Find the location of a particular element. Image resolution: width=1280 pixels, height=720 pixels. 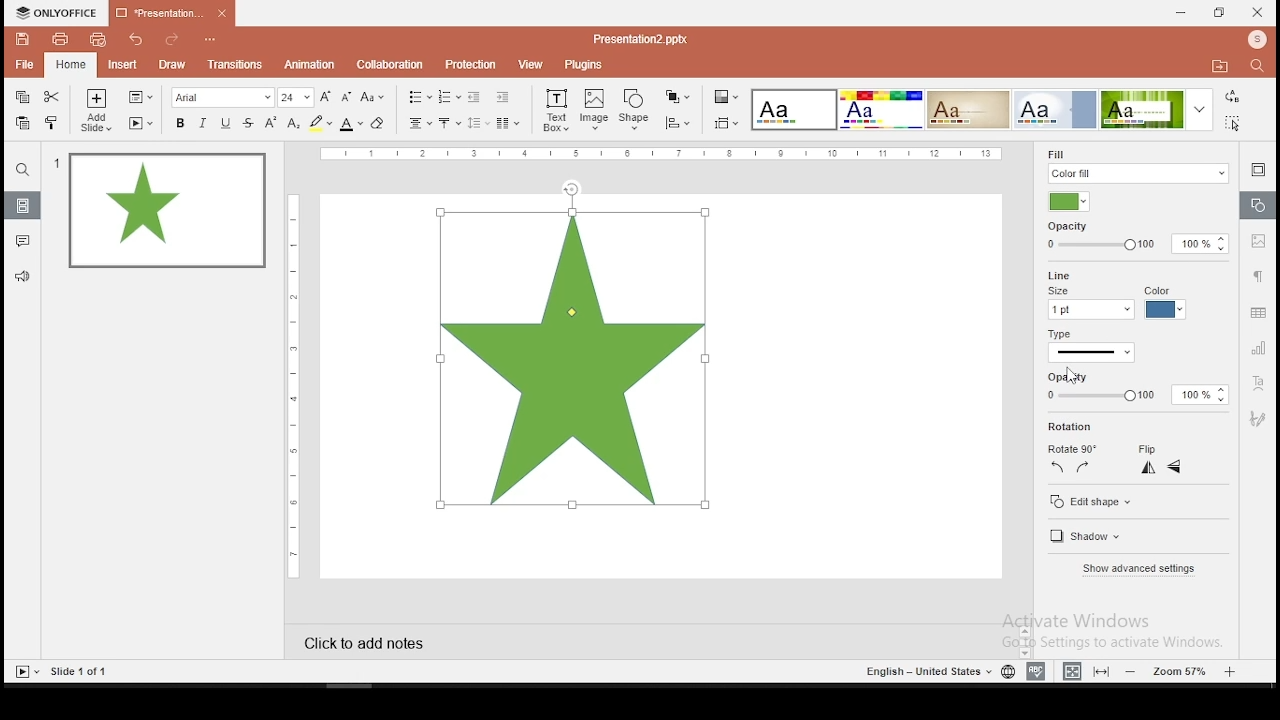

vertical scale is located at coordinates (662, 154).